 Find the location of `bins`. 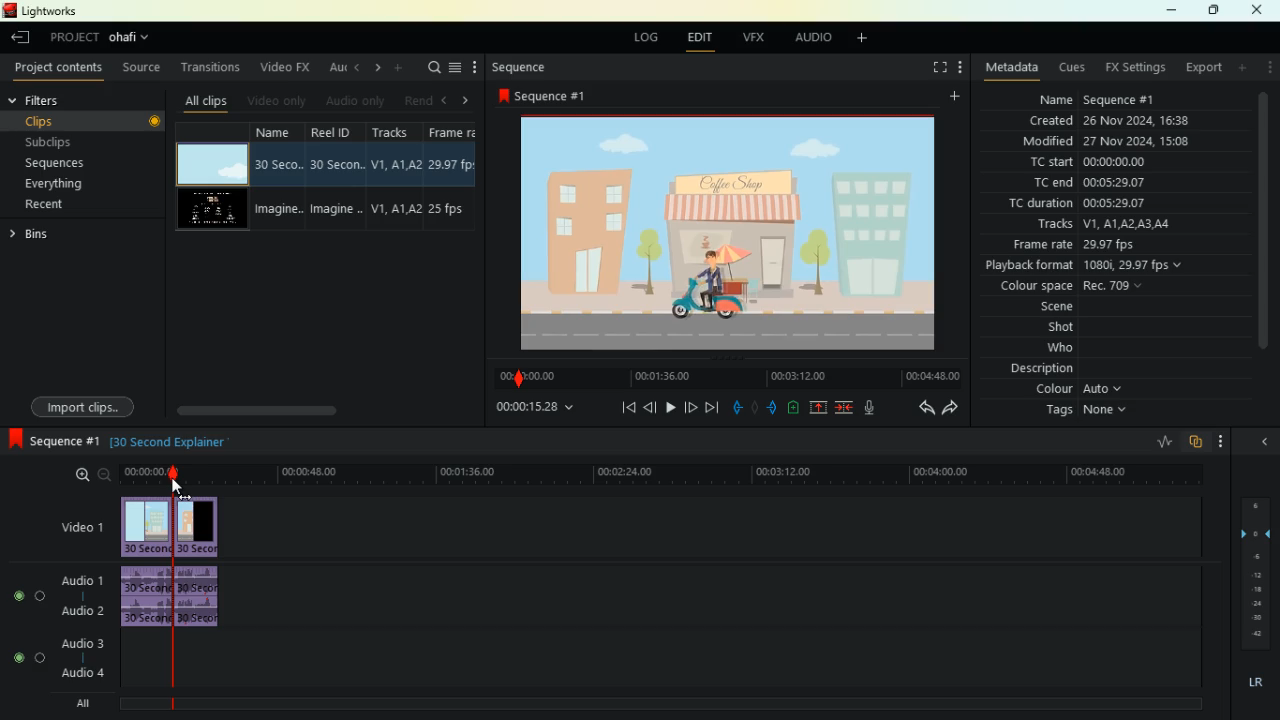

bins is located at coordinates (39, 236).